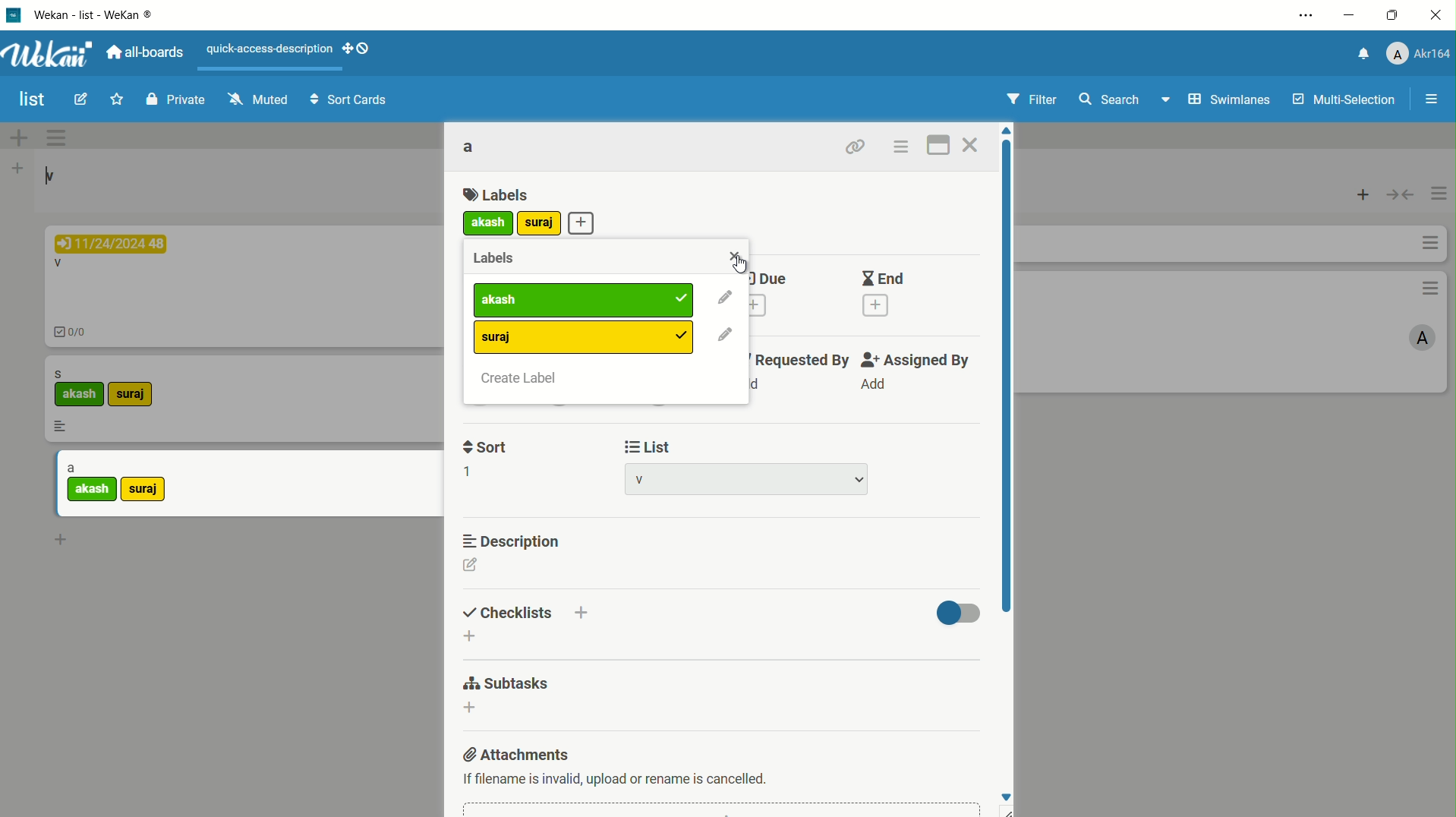 The image size is (1456, 817). Describe the element at coordinates (57, 264) in the screenshot. I see `V` at that location.